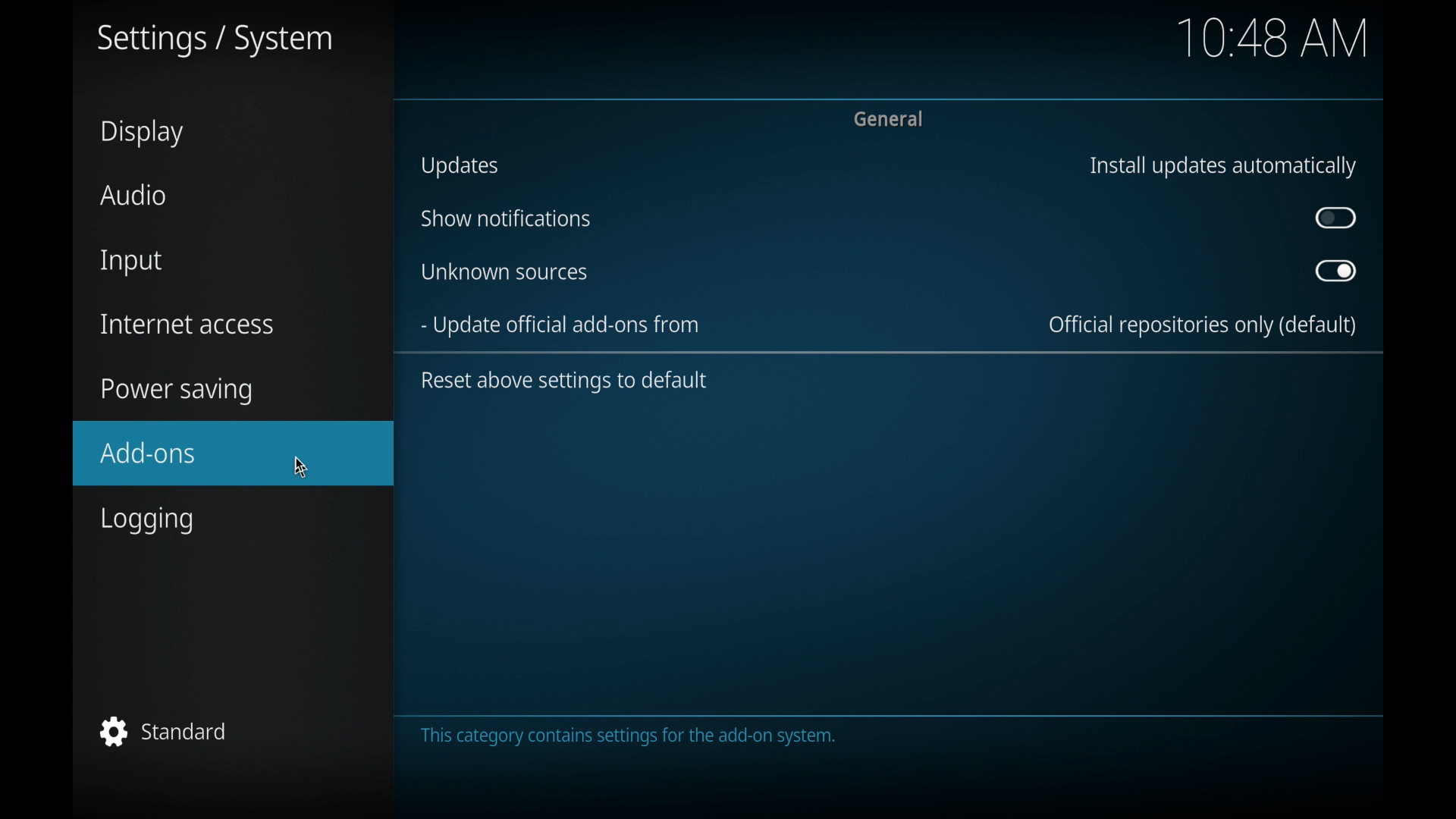 The height and width of the screenshot is (819, 1456). I want to click on reset above settings to default, so click(564, 381).